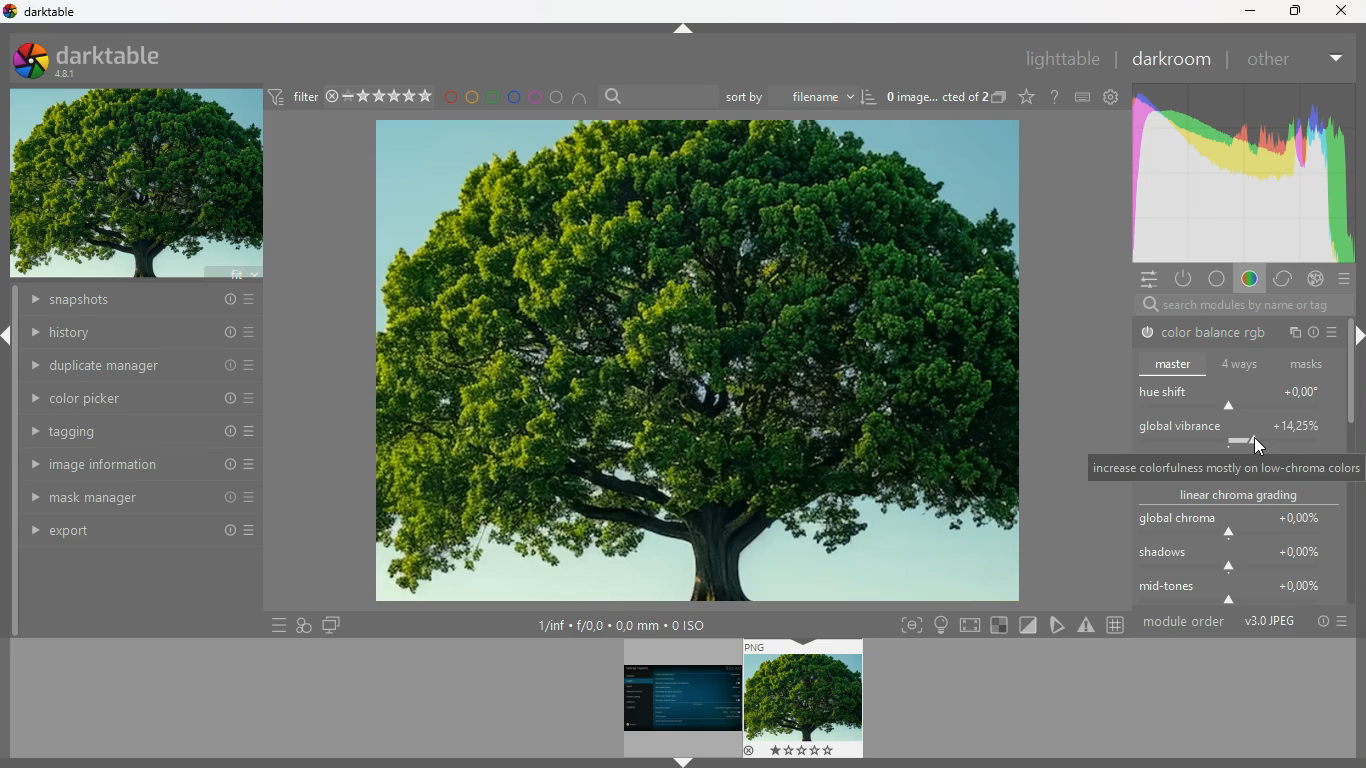 Image resolution: width=1366 pixels, height=768 pixels. I want to click on doubt, so click(1056, 97).